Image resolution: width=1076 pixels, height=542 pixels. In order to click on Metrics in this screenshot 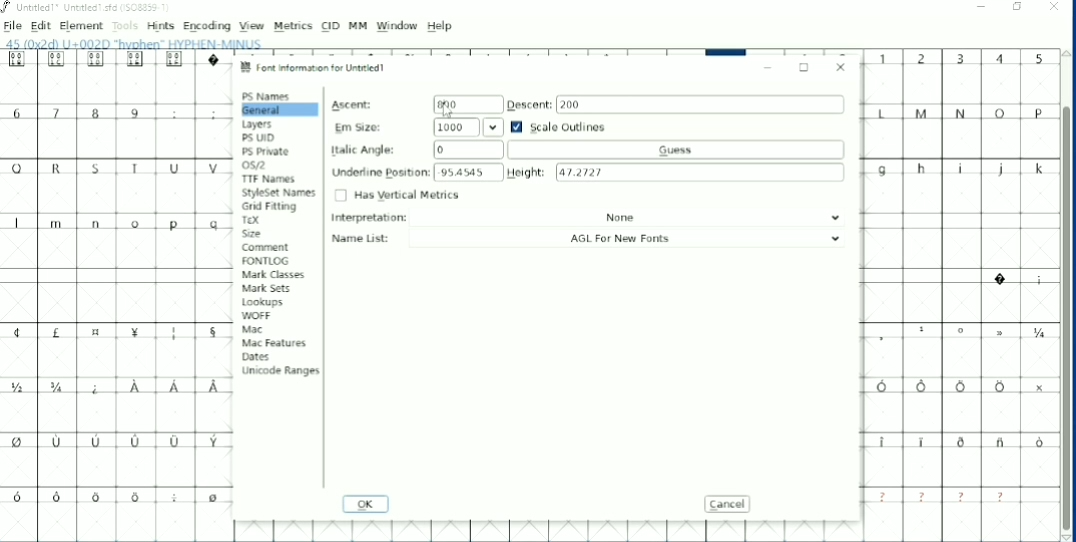, I will do `click(292, 26)`.